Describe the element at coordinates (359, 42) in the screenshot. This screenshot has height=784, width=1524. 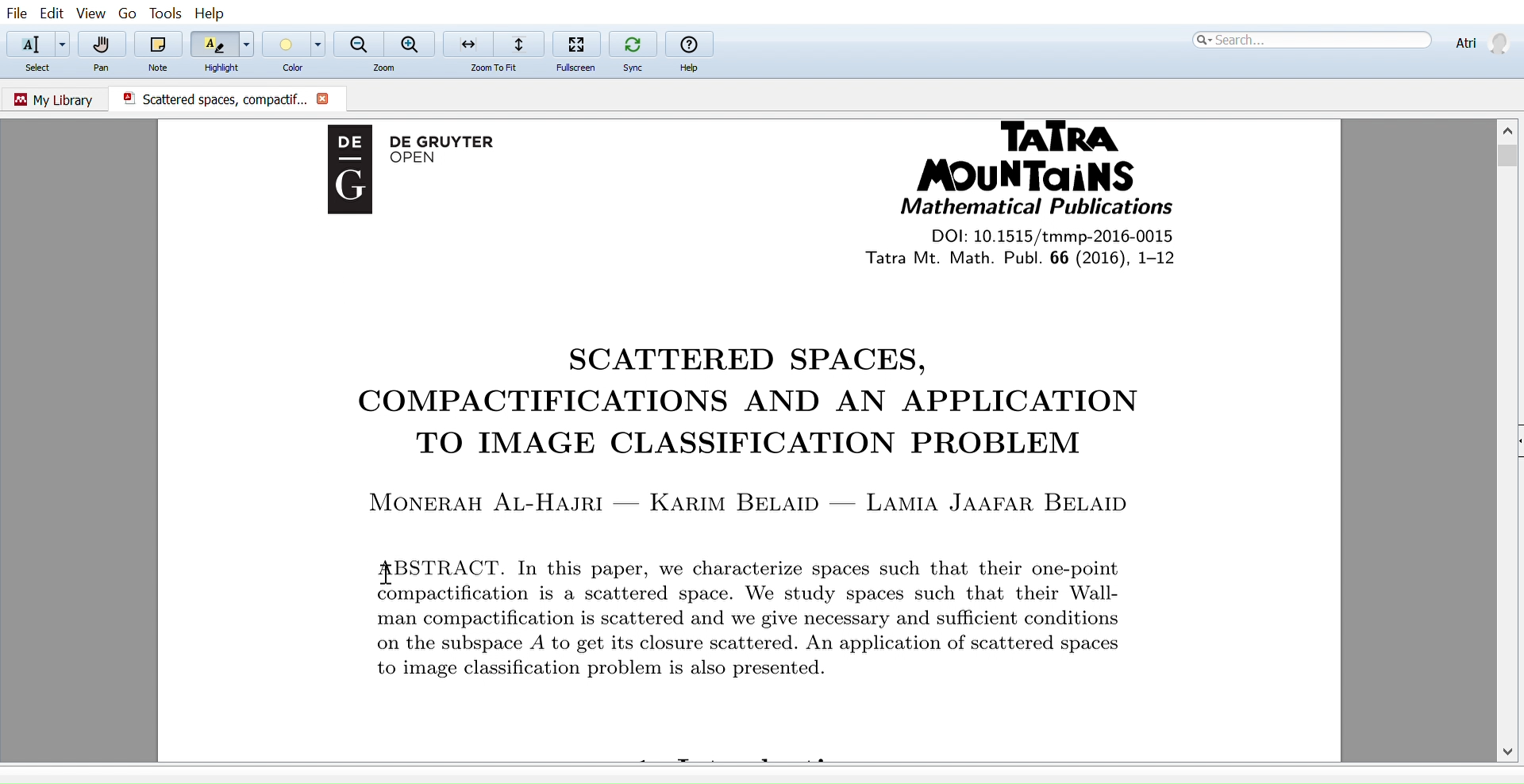
I see `Zoom out` at that location.